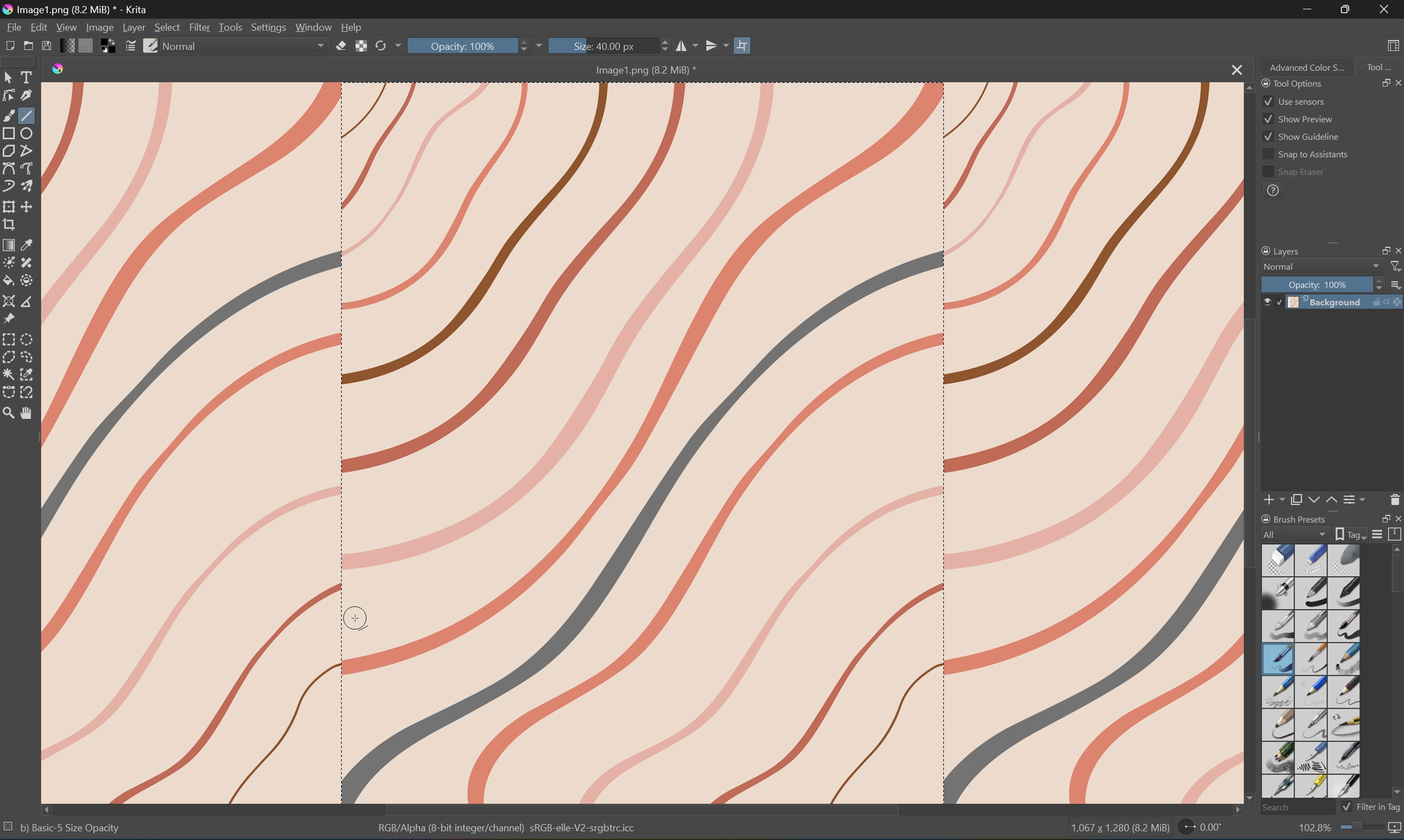 This screenshot has height=840, width=1404. I want to click on Drop Down, so click(545, 44).